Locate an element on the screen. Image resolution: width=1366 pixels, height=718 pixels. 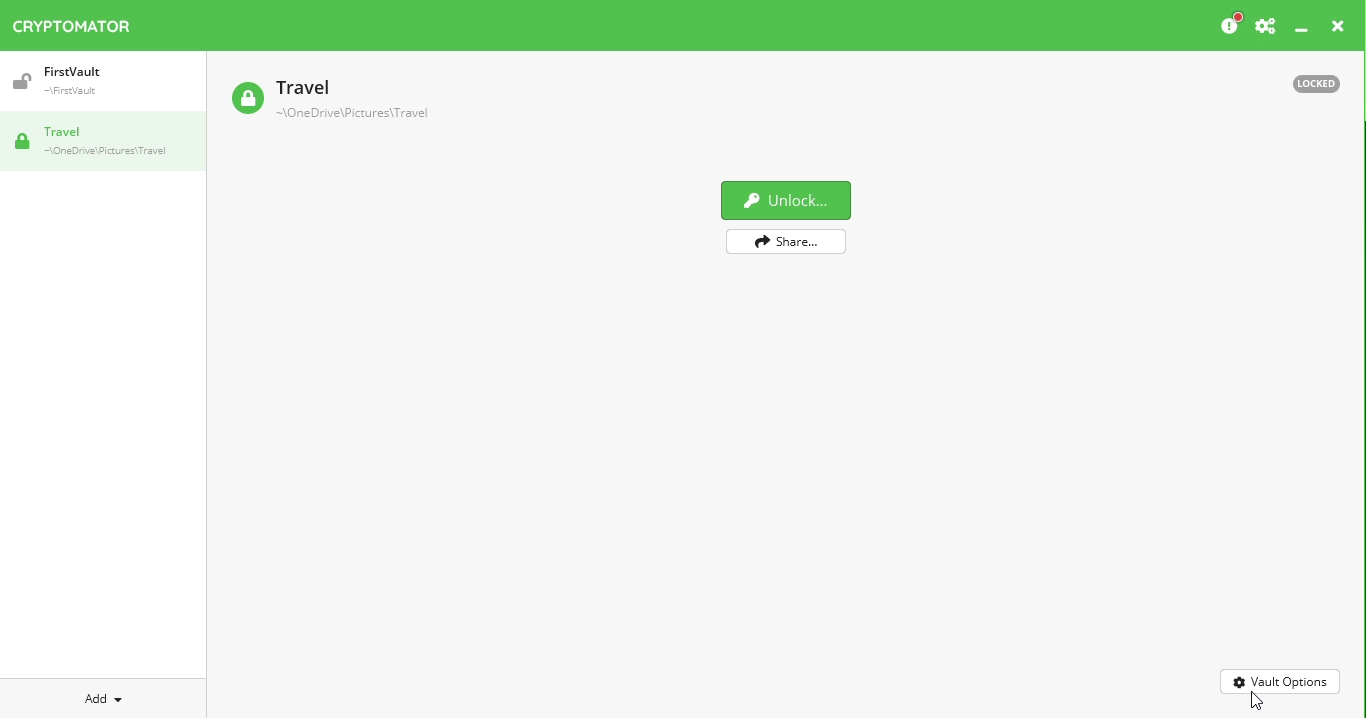
Share vault is located at coordinates (783, 240).